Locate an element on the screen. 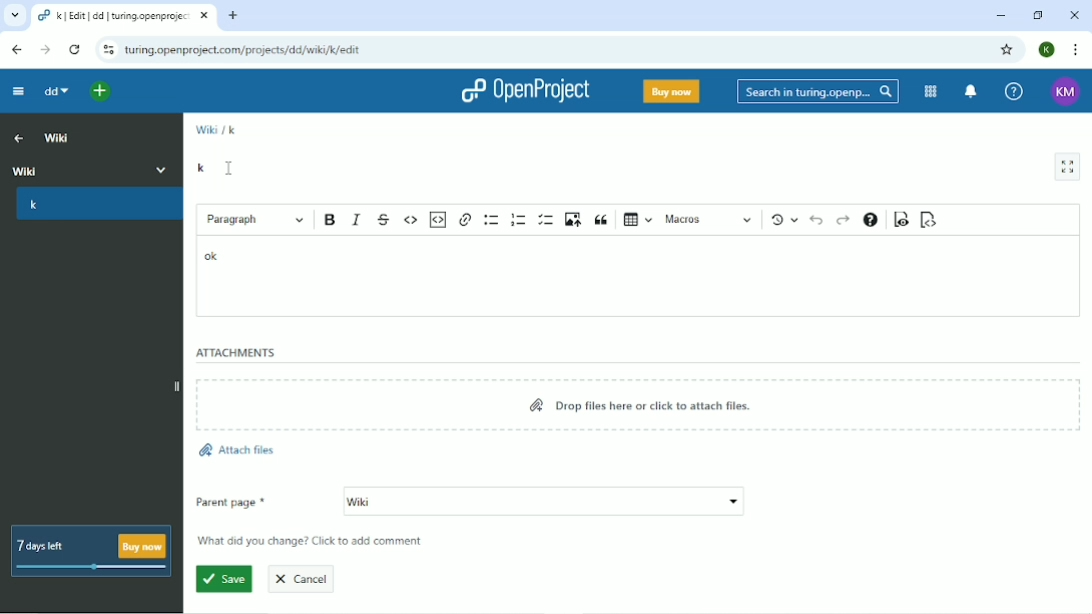 Image resolution: width=1092 pixels, height=614 pixels. Attach files is located at coordinates (238, 448).